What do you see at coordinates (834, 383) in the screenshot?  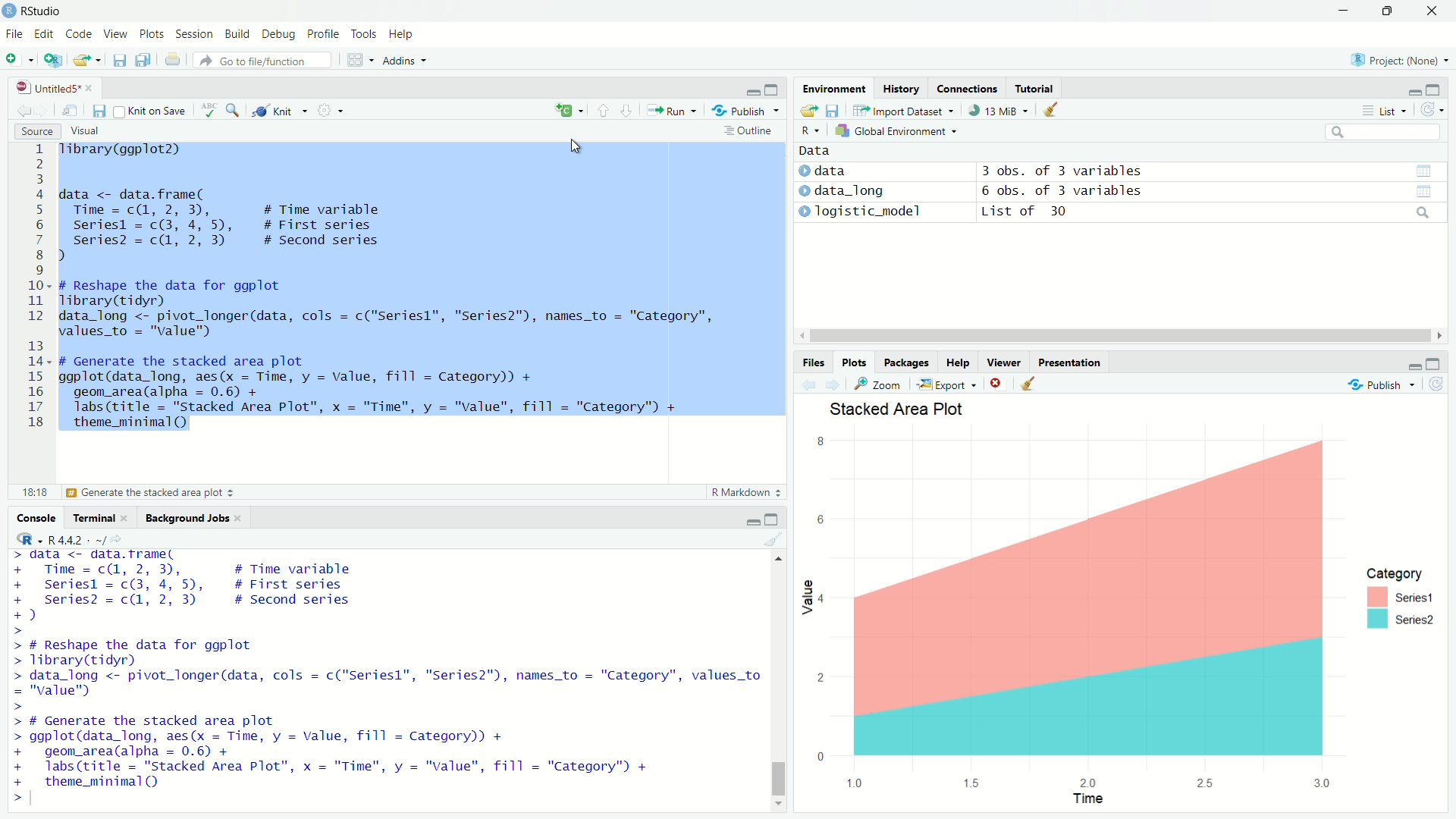 I see `next` at bounding box center [834, 383].